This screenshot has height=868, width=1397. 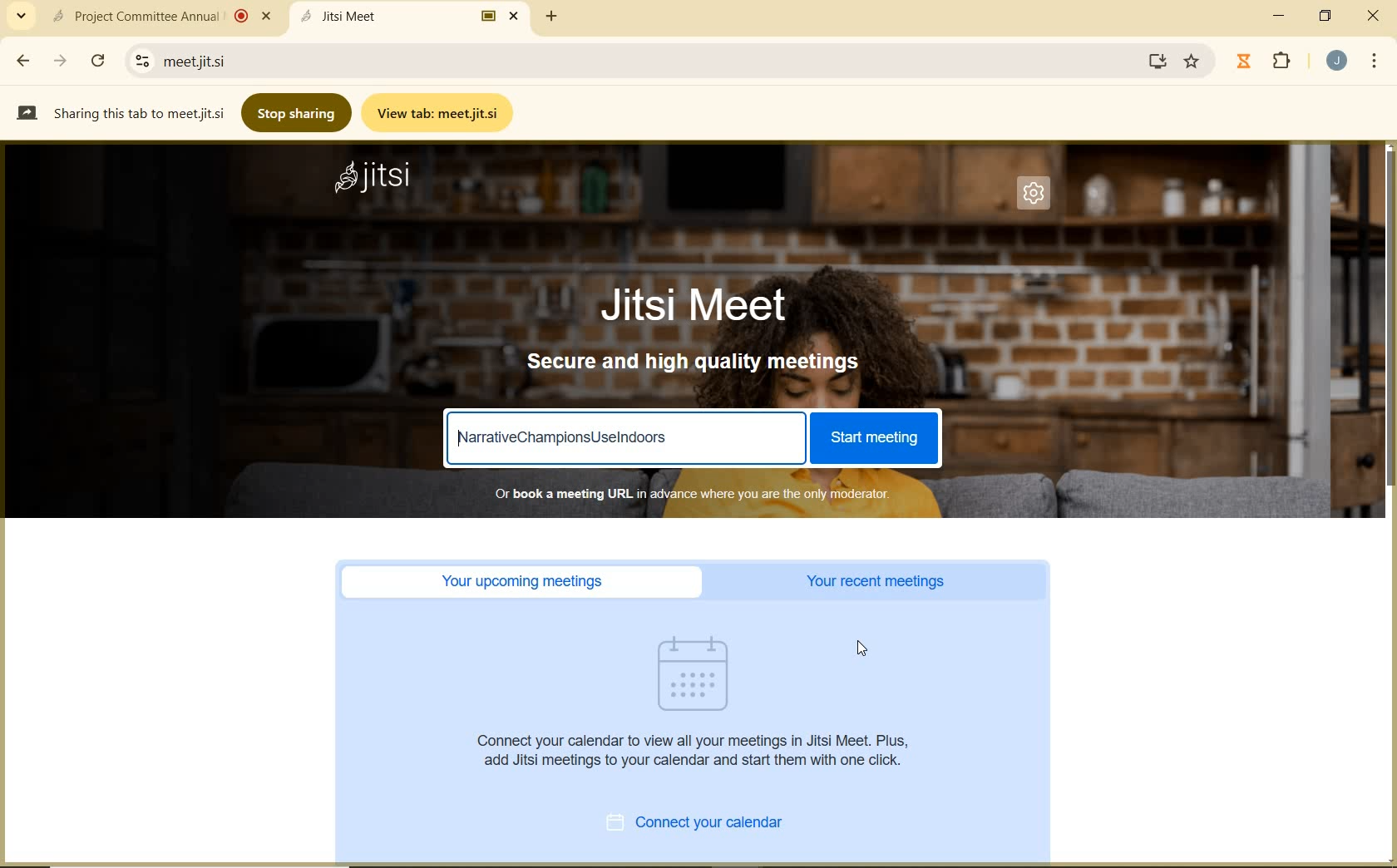 I want to click on Collapse, so click(x=21, y=17).